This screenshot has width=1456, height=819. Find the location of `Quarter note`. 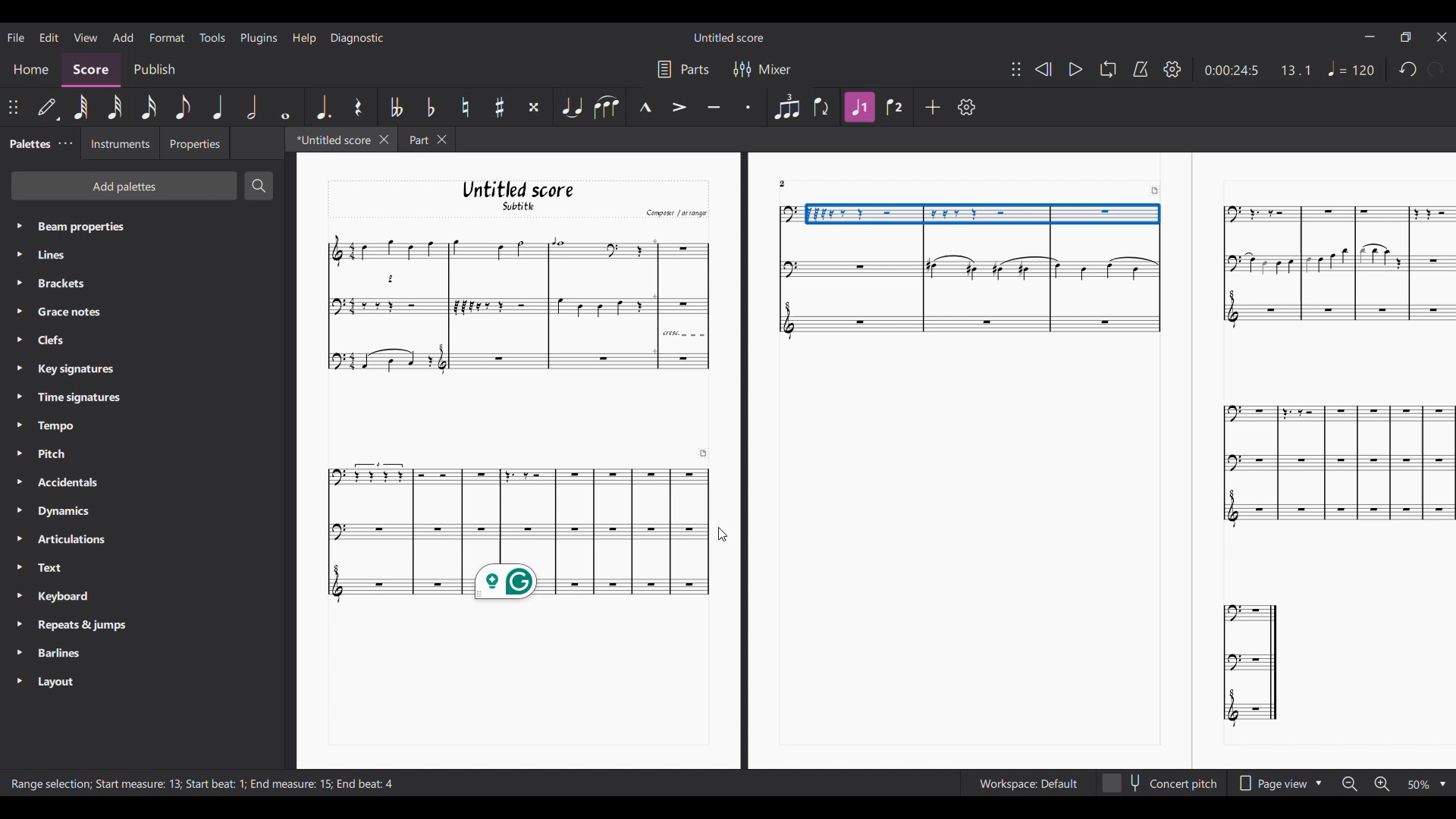

Quarter note is located at coordinates (217, 107).